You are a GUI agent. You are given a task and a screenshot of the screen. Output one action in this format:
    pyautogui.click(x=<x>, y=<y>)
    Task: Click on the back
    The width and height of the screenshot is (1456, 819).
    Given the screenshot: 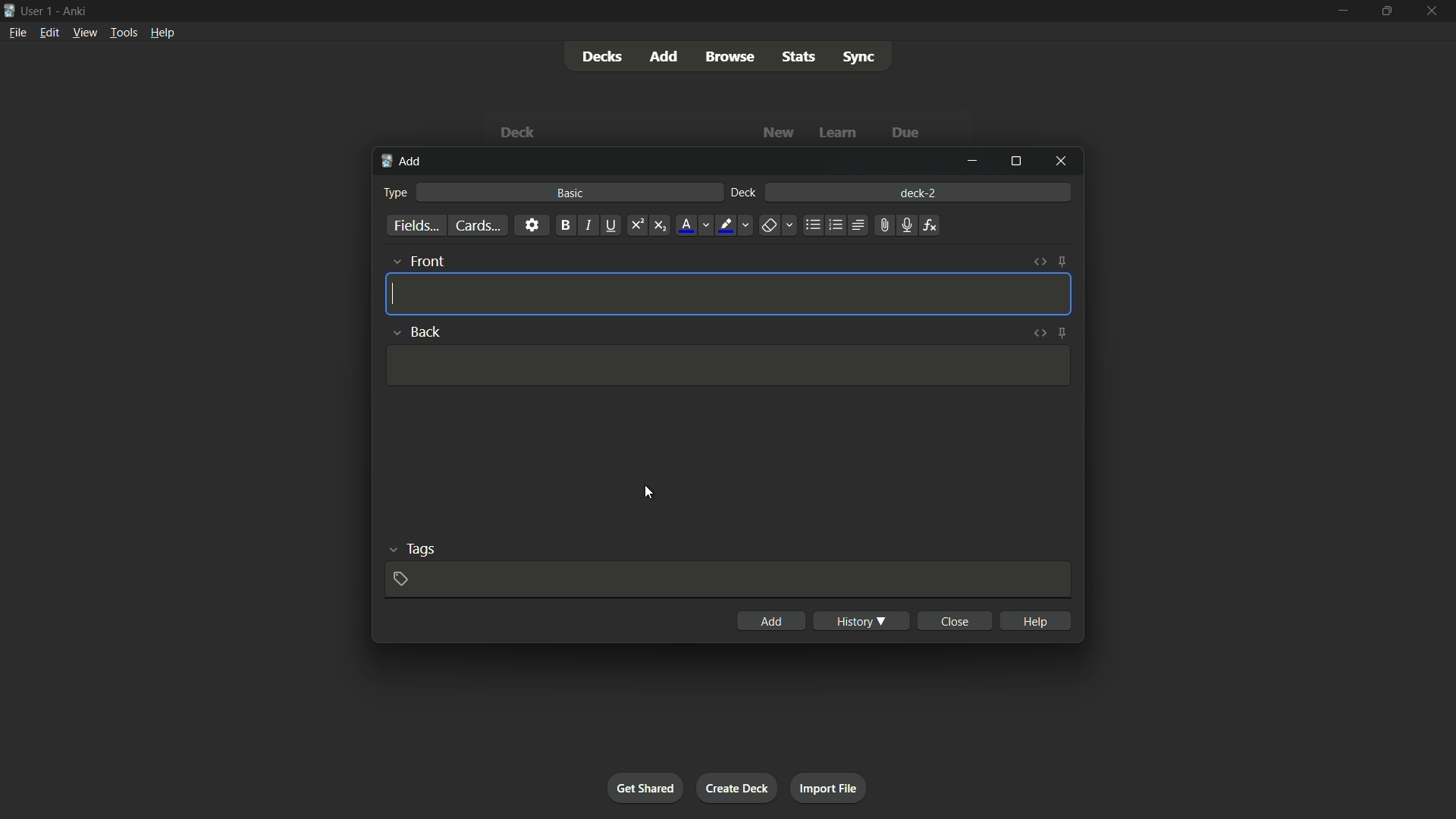 What is the action you would take?
    pyautogui.click(x=417, y=331)
    